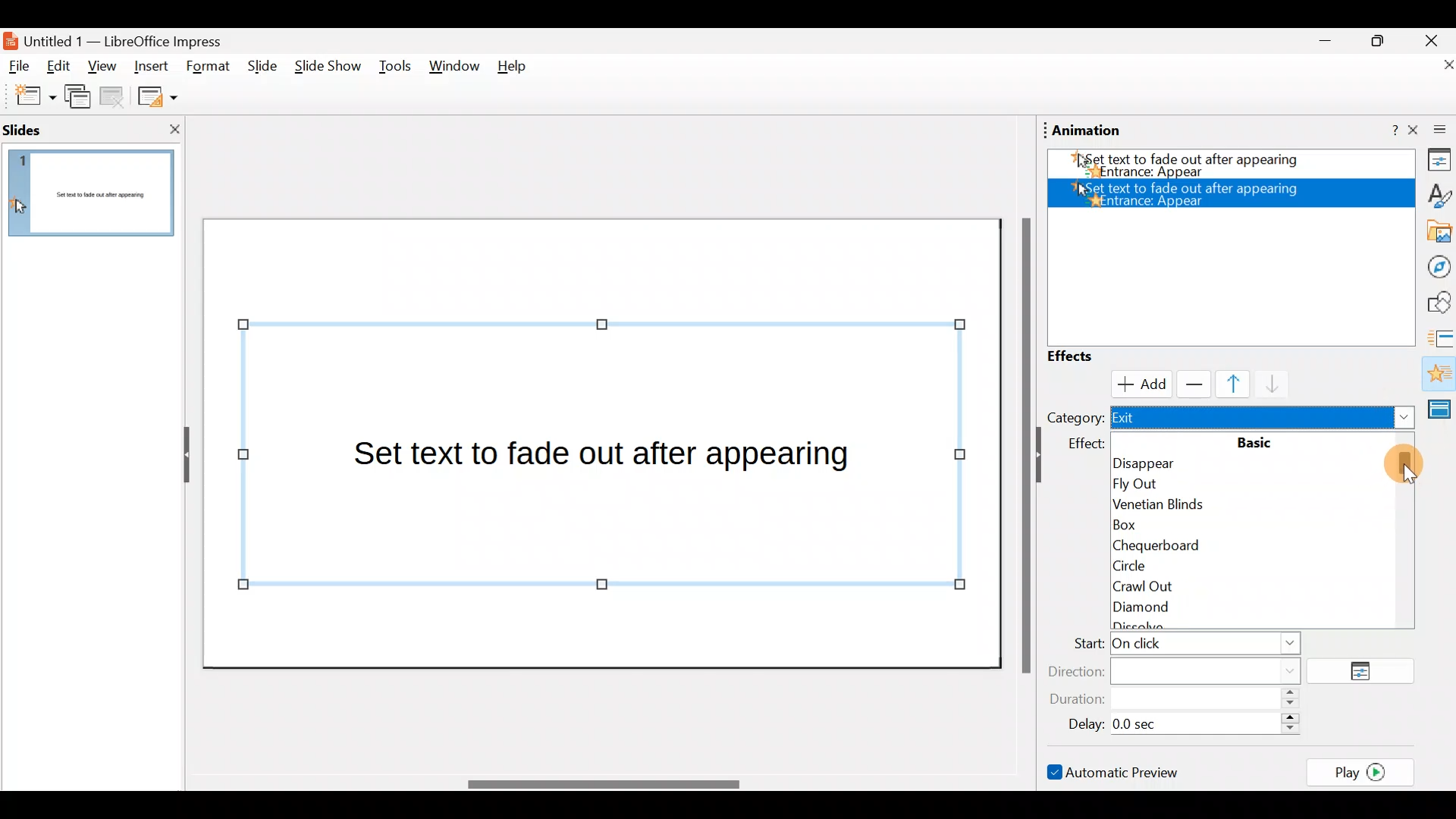  What do you see at coordinates (1383, 41) in the screenshot?
I see `Maximise` at bounding box center [1383, 41].